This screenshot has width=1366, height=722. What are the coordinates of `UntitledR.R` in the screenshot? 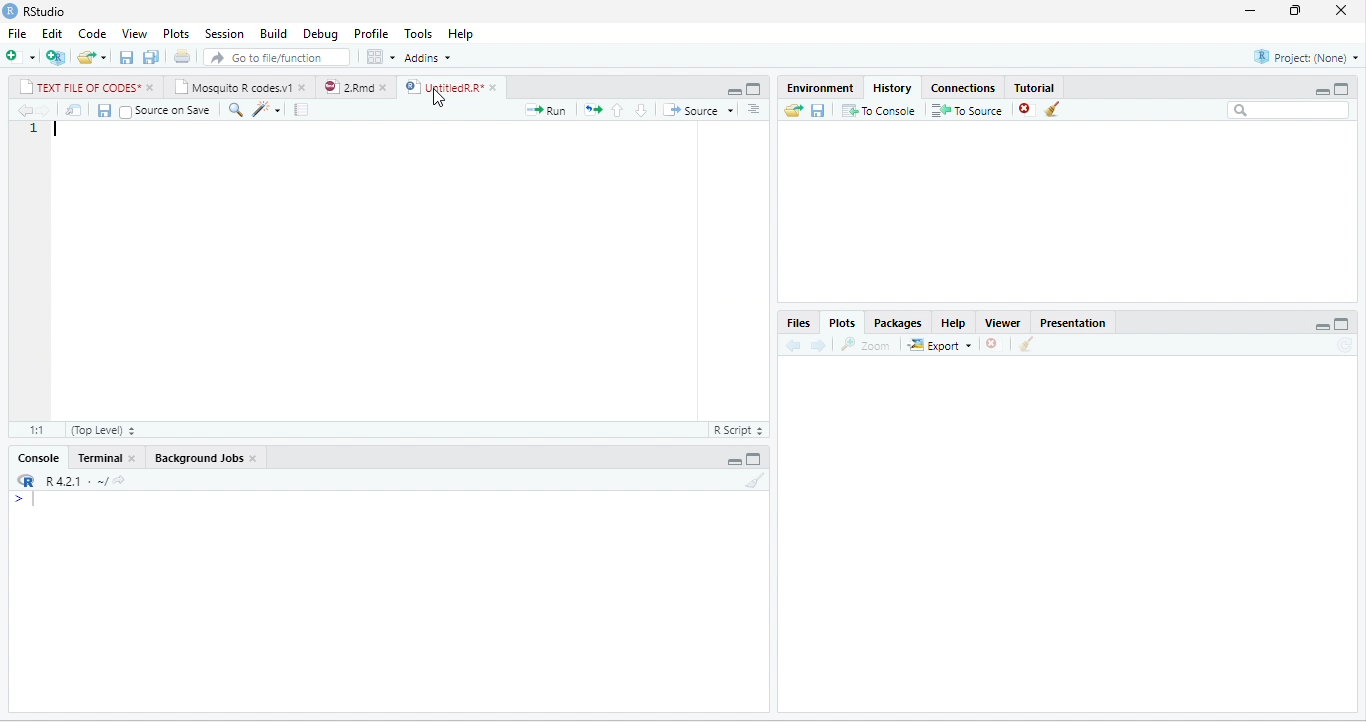 It's located at (443, 87).